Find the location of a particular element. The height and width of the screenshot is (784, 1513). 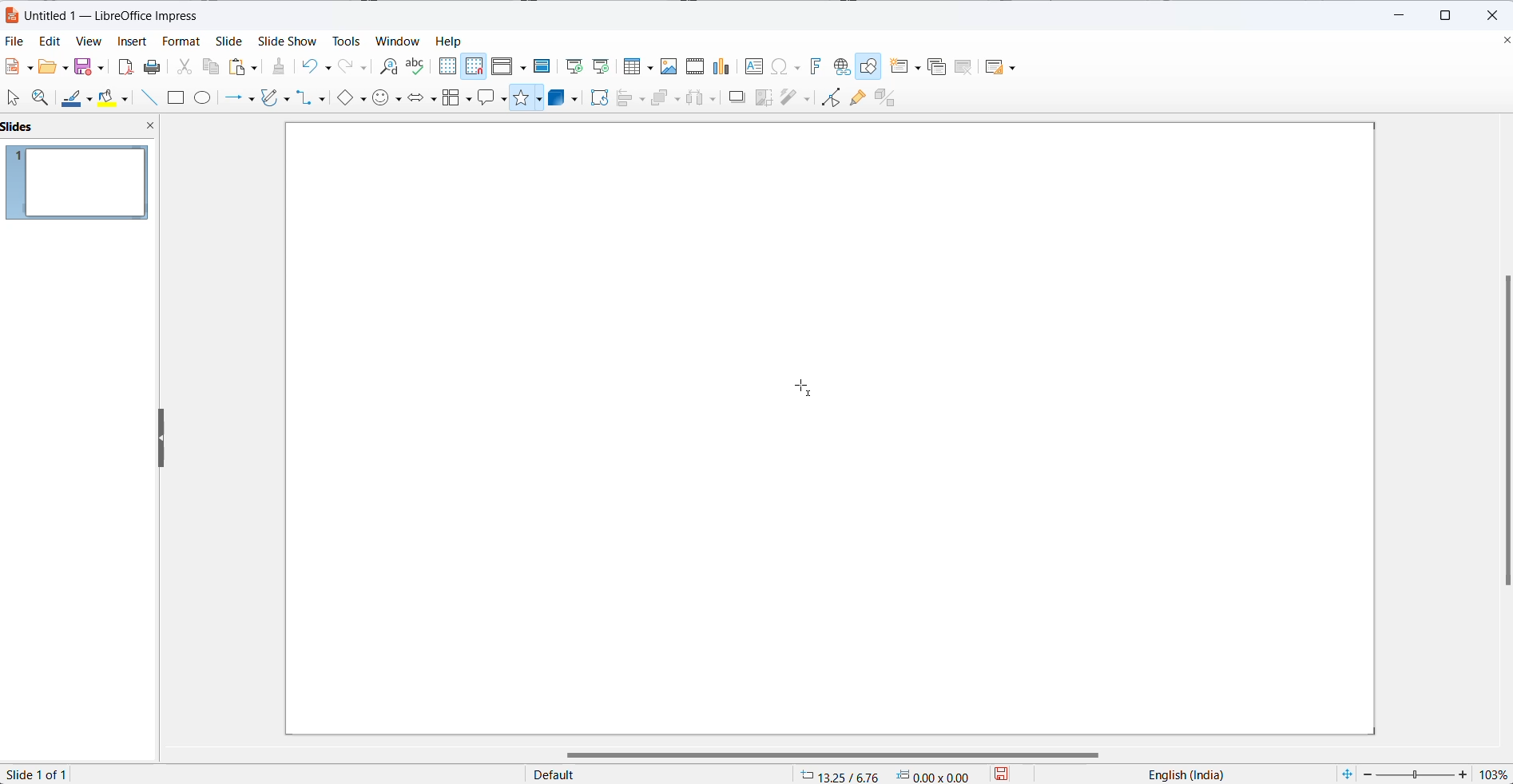

SLIDE LAYOUT is located at coordinates (1001, 66).